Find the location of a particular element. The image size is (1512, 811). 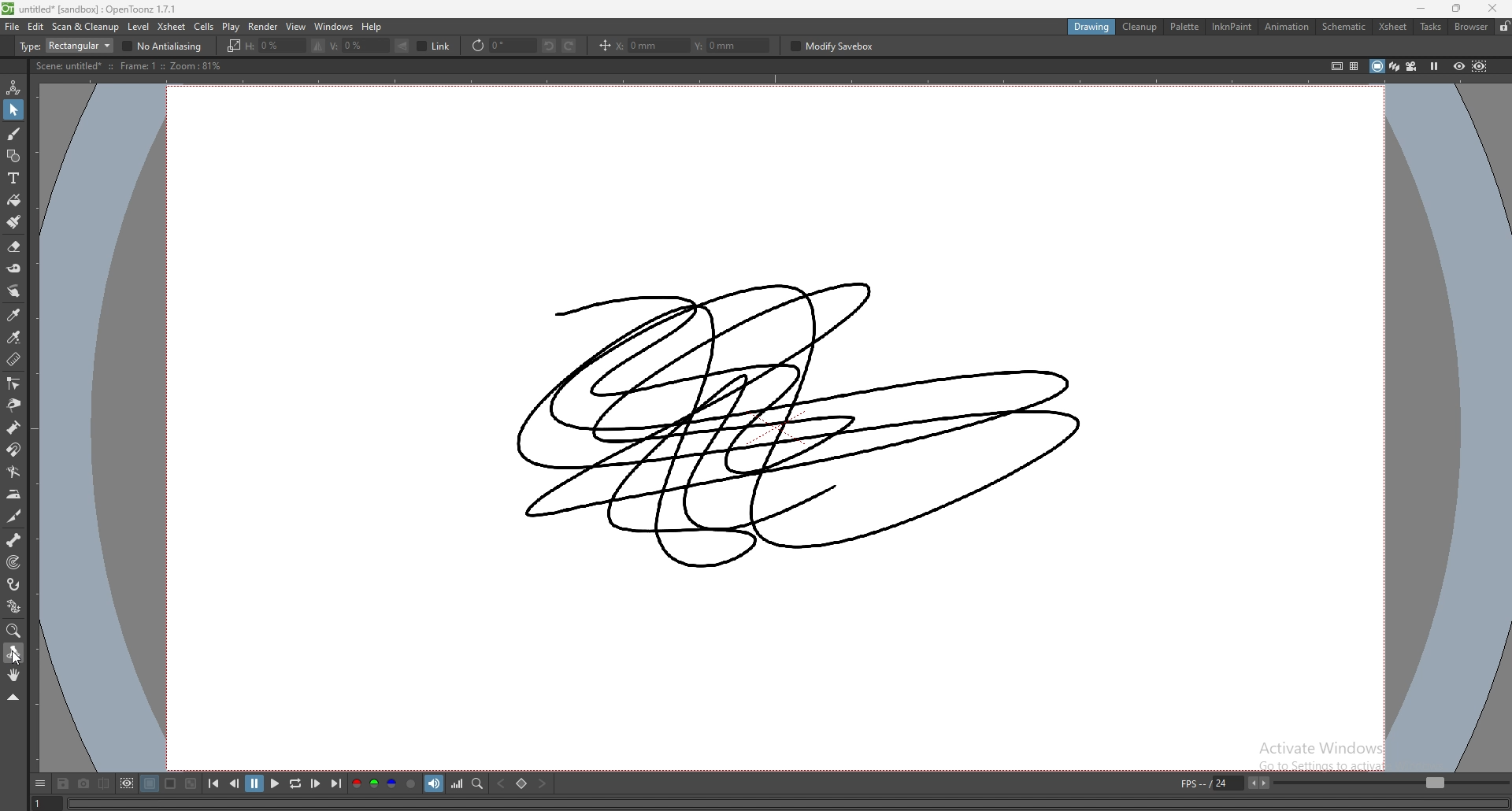

animation is located at coordinates (1288, 27).